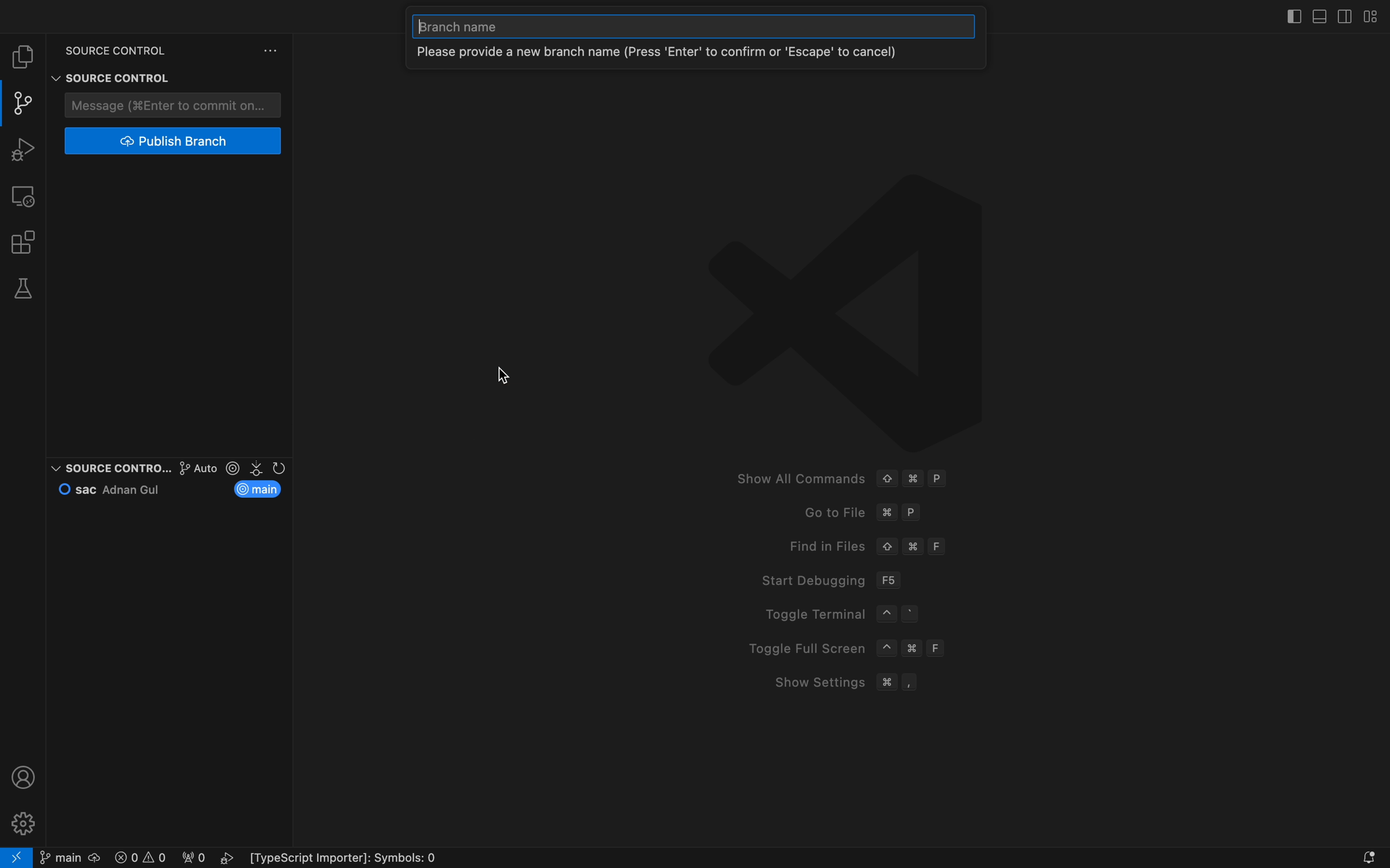  What do you see at coordinates (818, 443) in the screenshot?
I see `welcome screen` at bounding box center [818, 443].